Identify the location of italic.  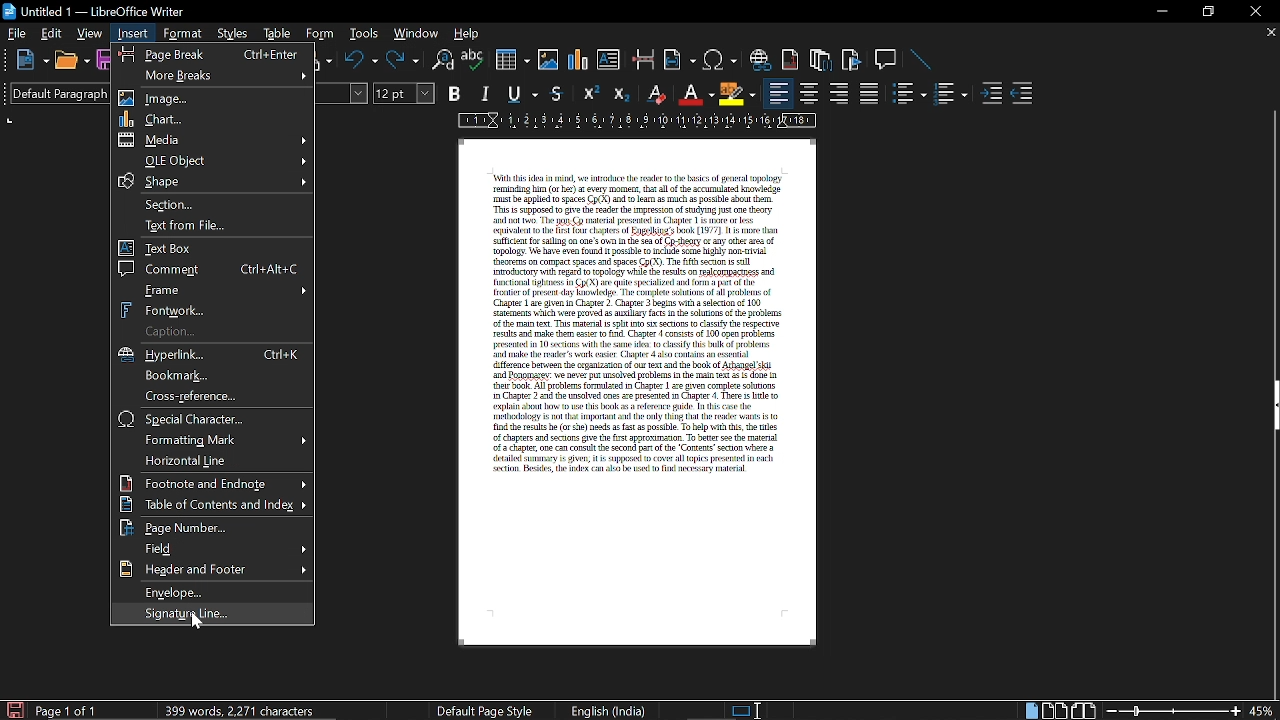
(485, 96).